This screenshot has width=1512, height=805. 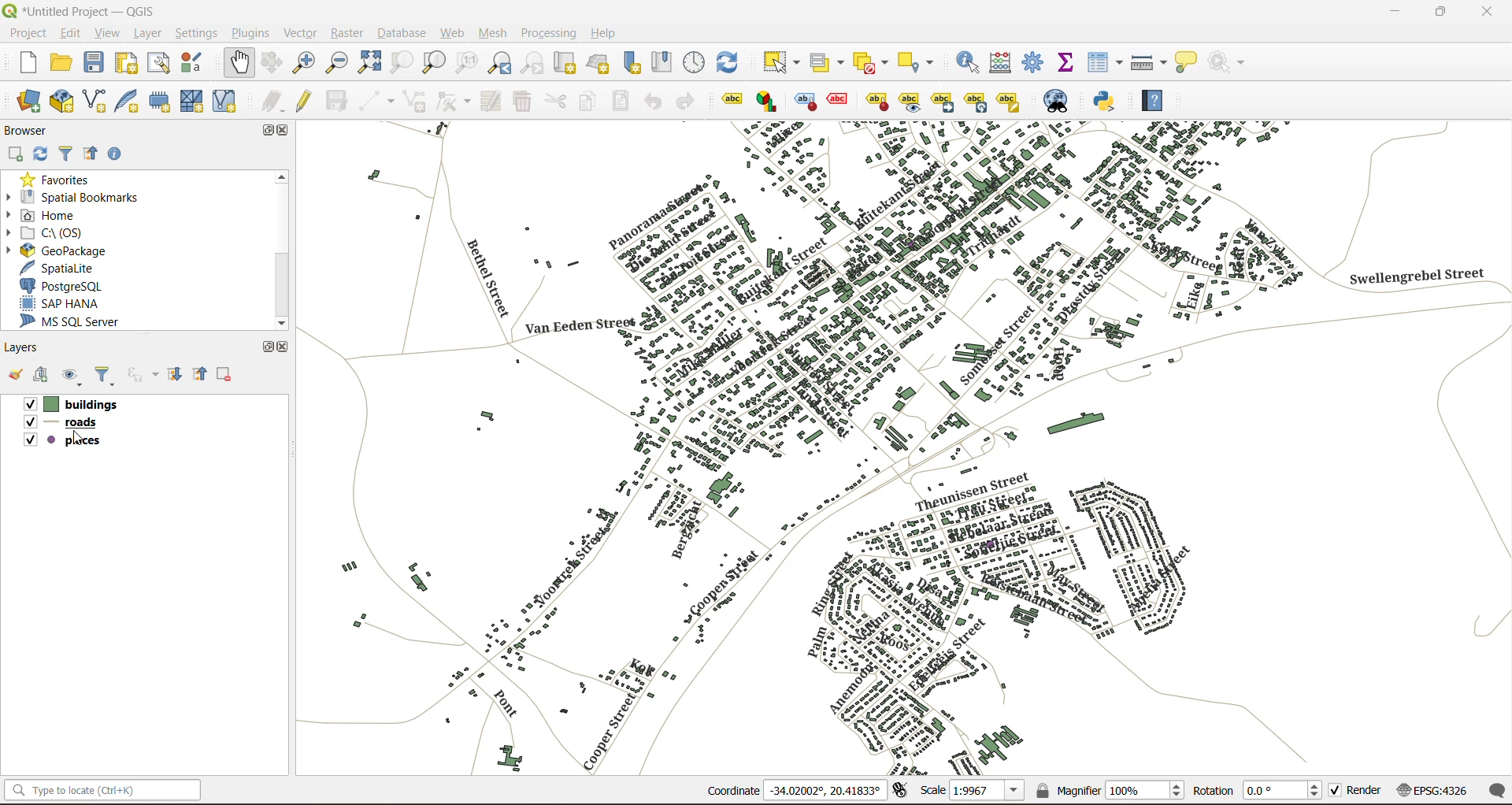 I want to click on new map view, so click(x=569, y=64).